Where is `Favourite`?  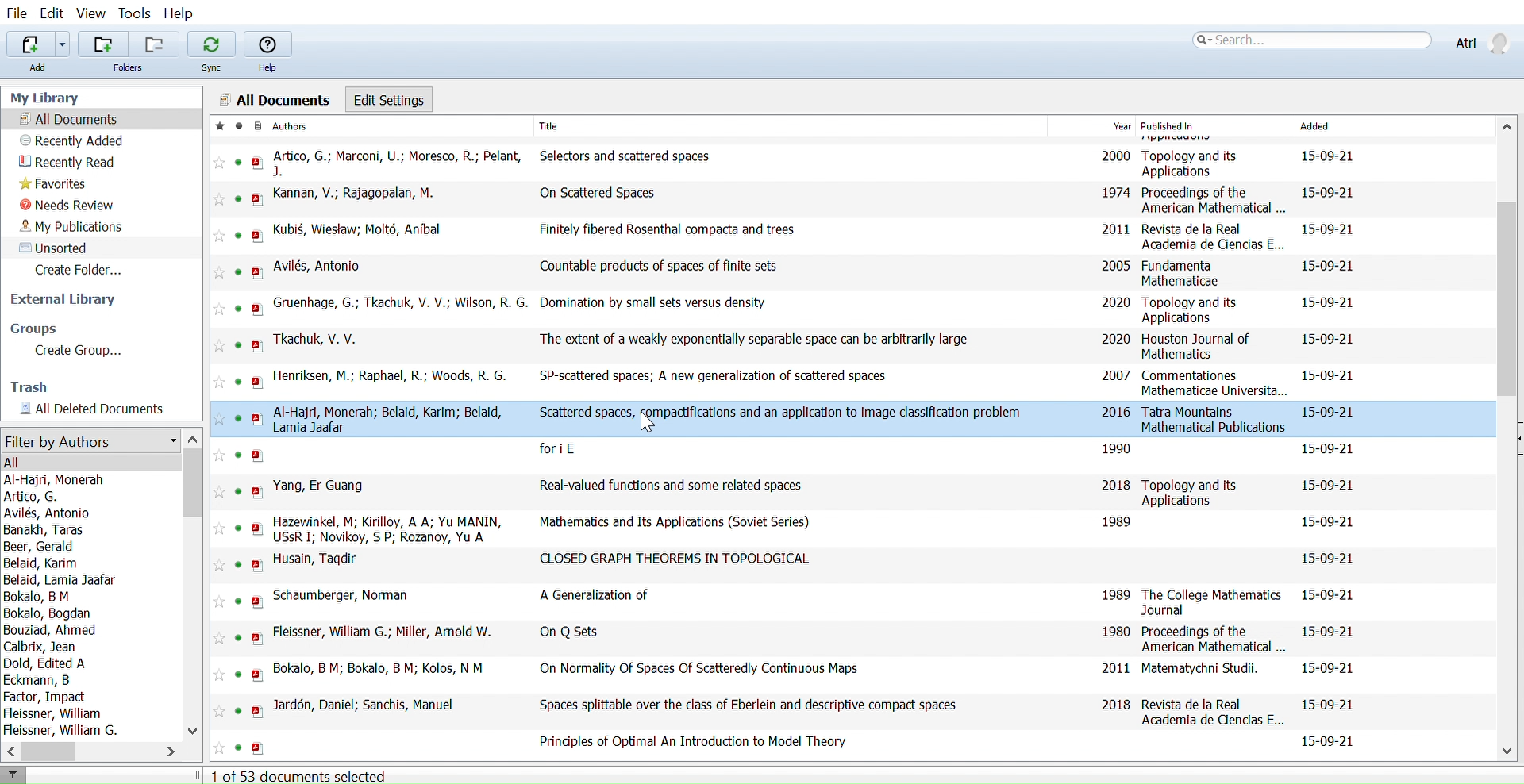
Favourite is located at coordinates (217, 711).